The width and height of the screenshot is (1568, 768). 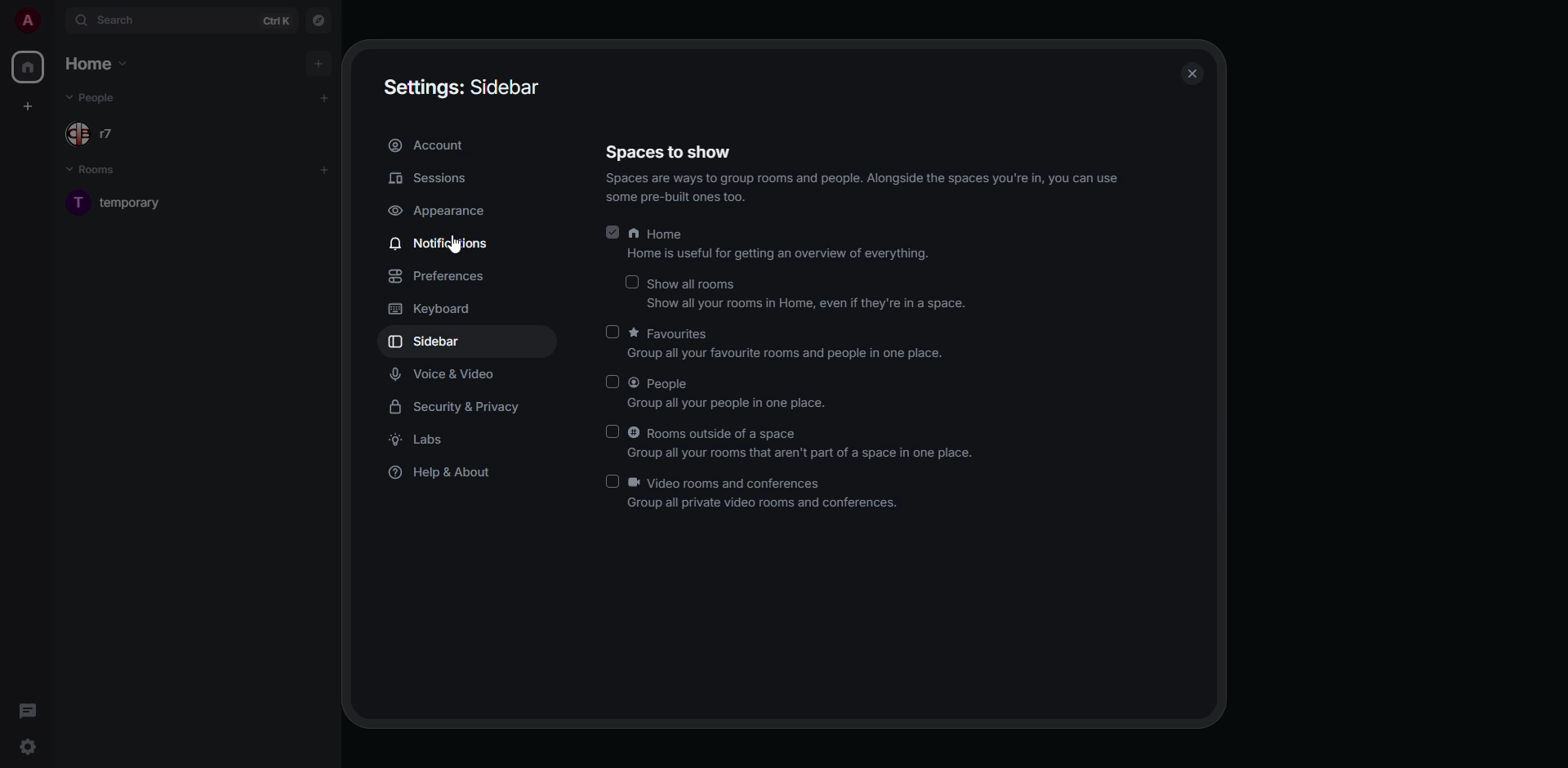 What do you see at coordinates (763, 493) in the screenshot?
I see `video rooms and conferences` at bounding box center [763, 493].